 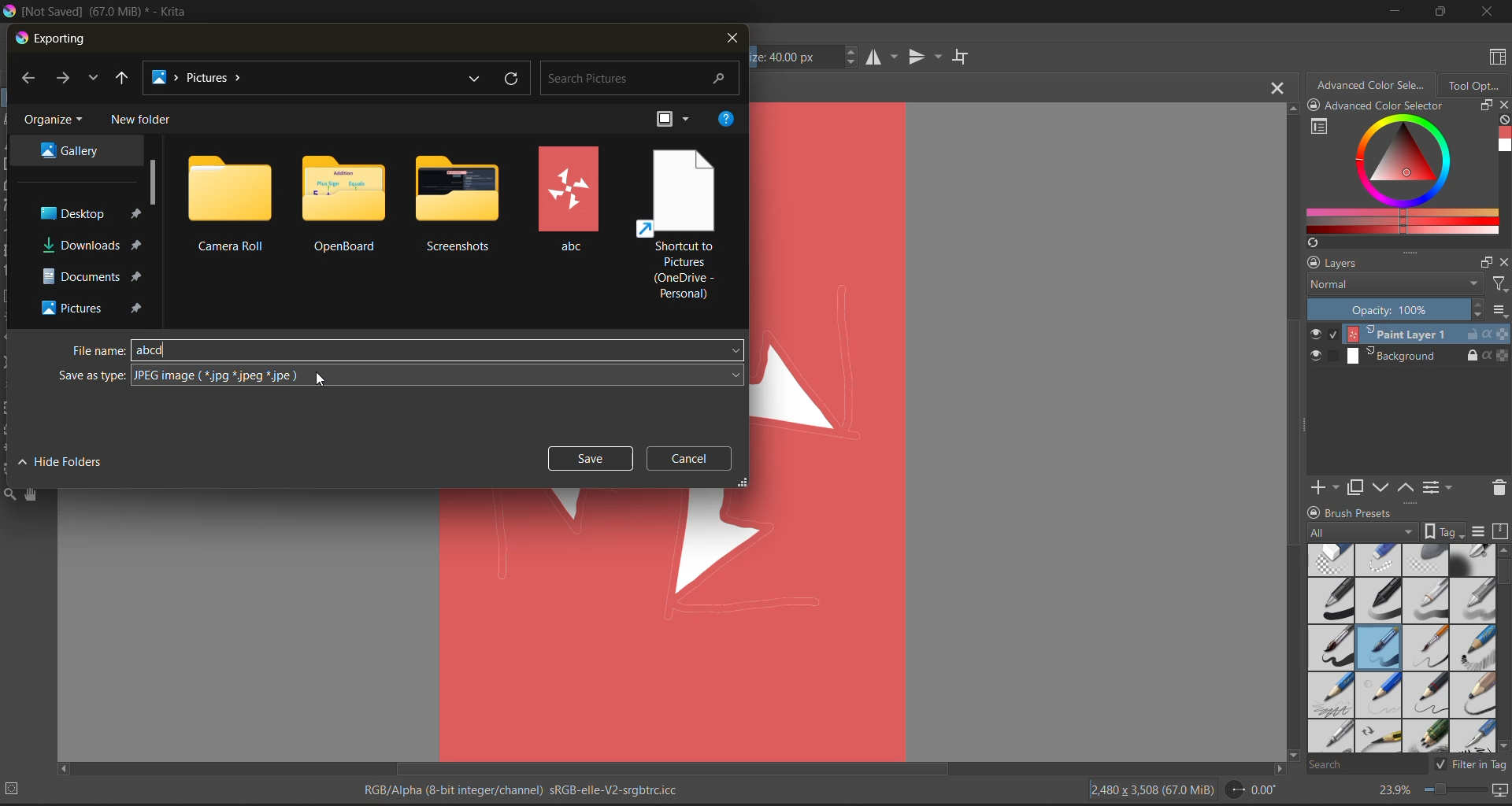 I want to click on normal, so click(x=1396, y=289).